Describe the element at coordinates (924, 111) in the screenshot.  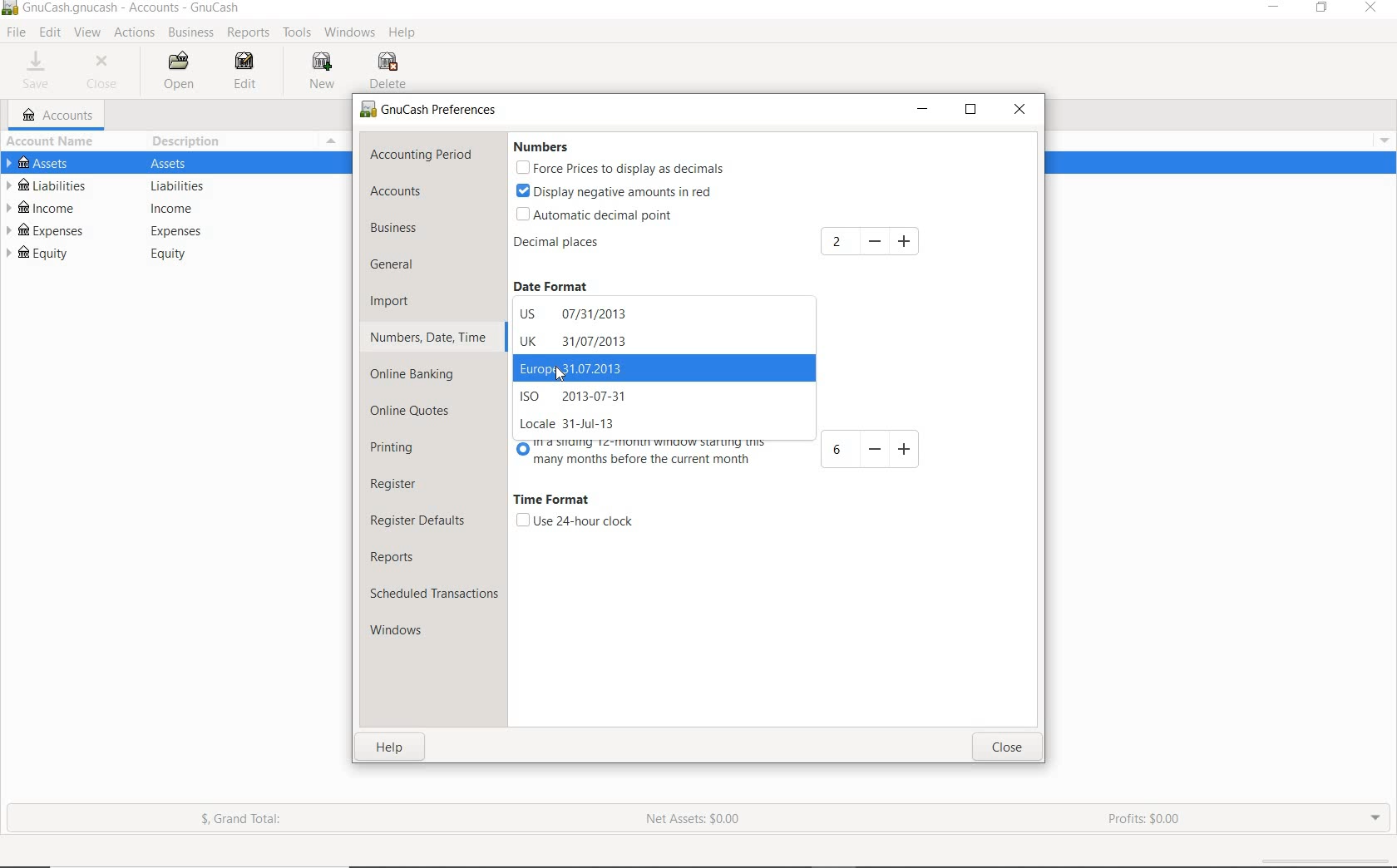
I see `minimize` at that location.